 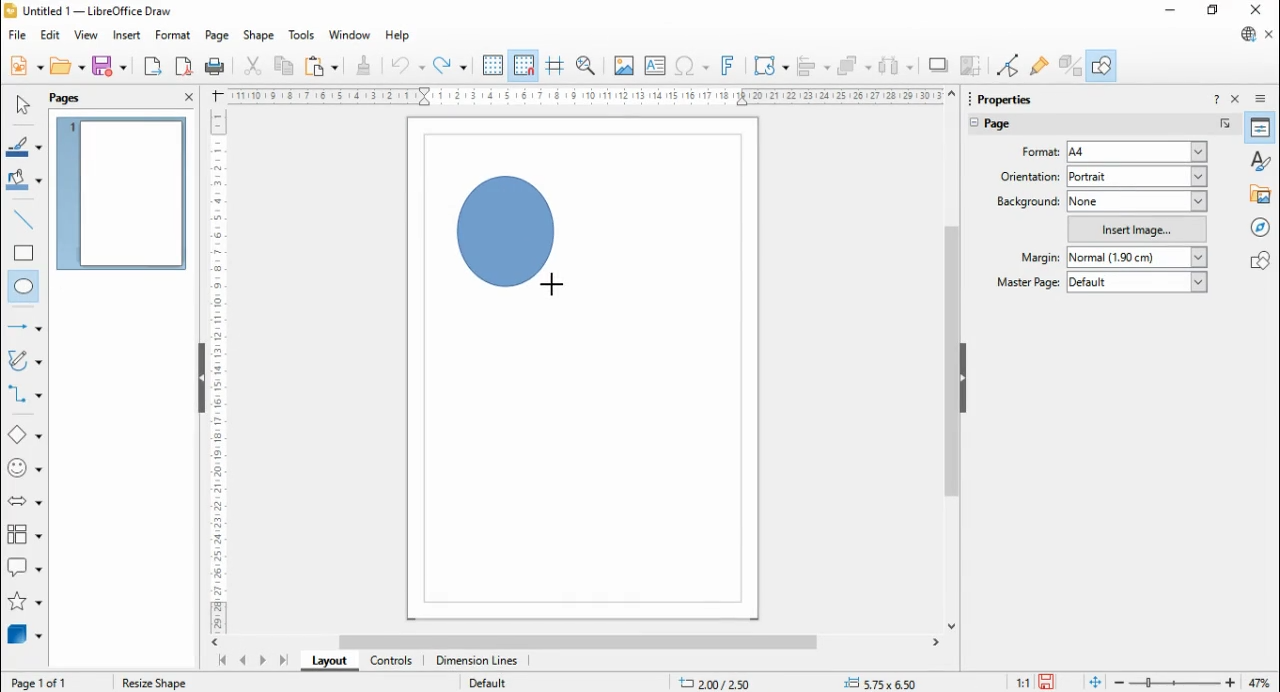 I want to click on libre office update, so click(x=1247, y=34).